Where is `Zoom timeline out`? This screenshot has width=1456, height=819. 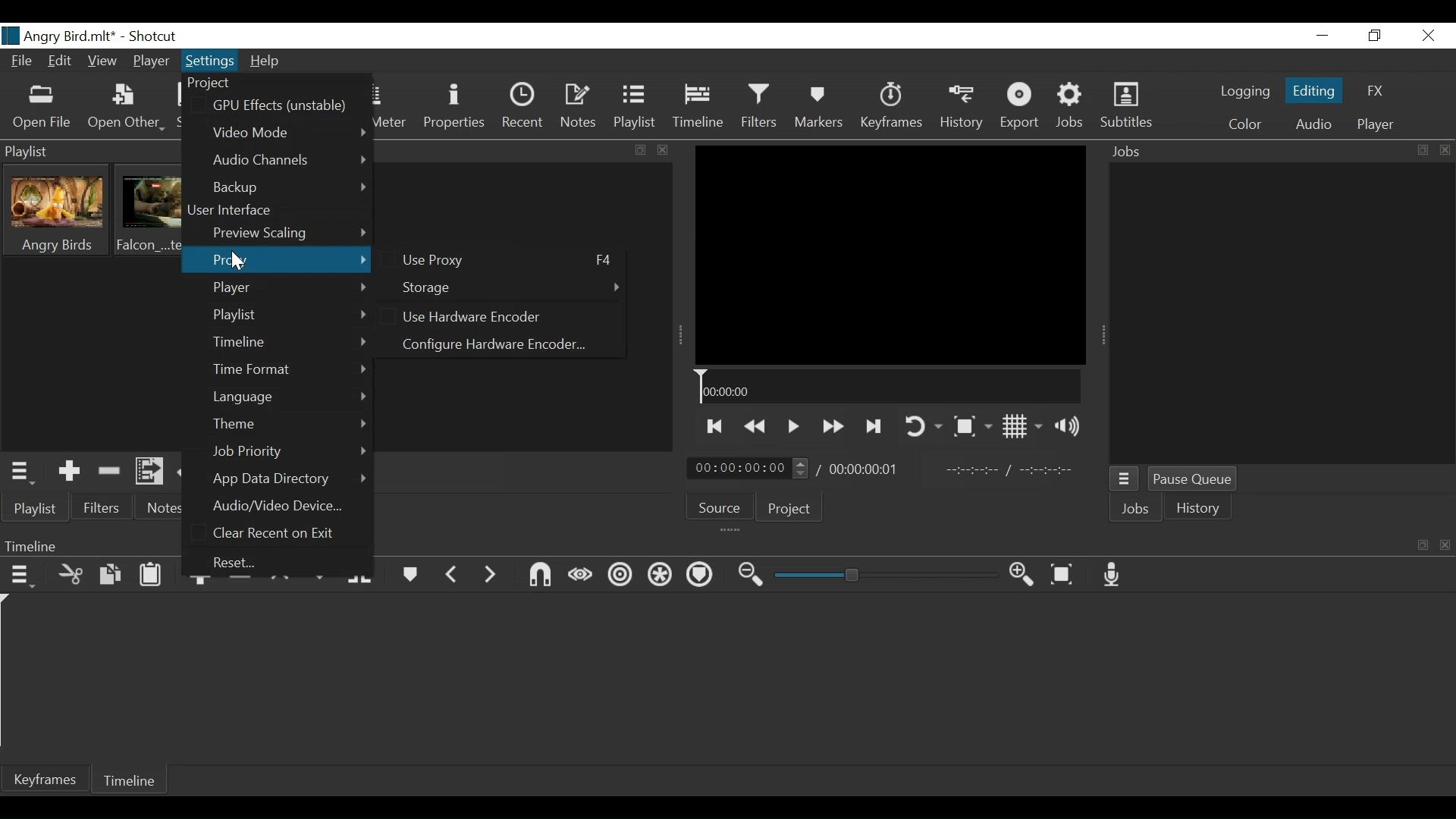
Zoom timeline out is located at coordinates (745, 575).